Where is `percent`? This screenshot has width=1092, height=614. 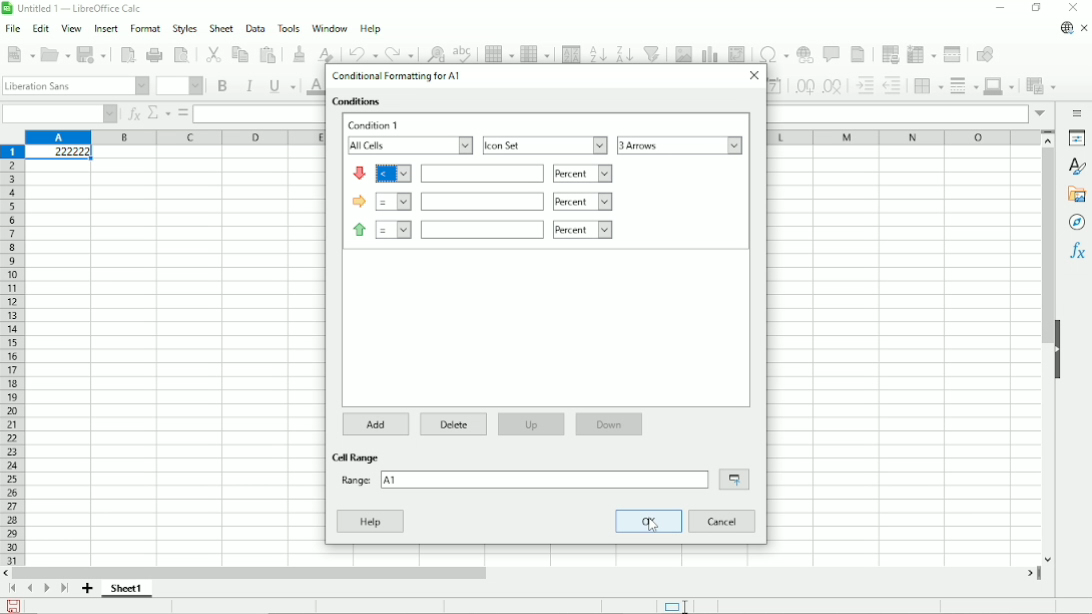 percent is located at coordinates (582, 173).